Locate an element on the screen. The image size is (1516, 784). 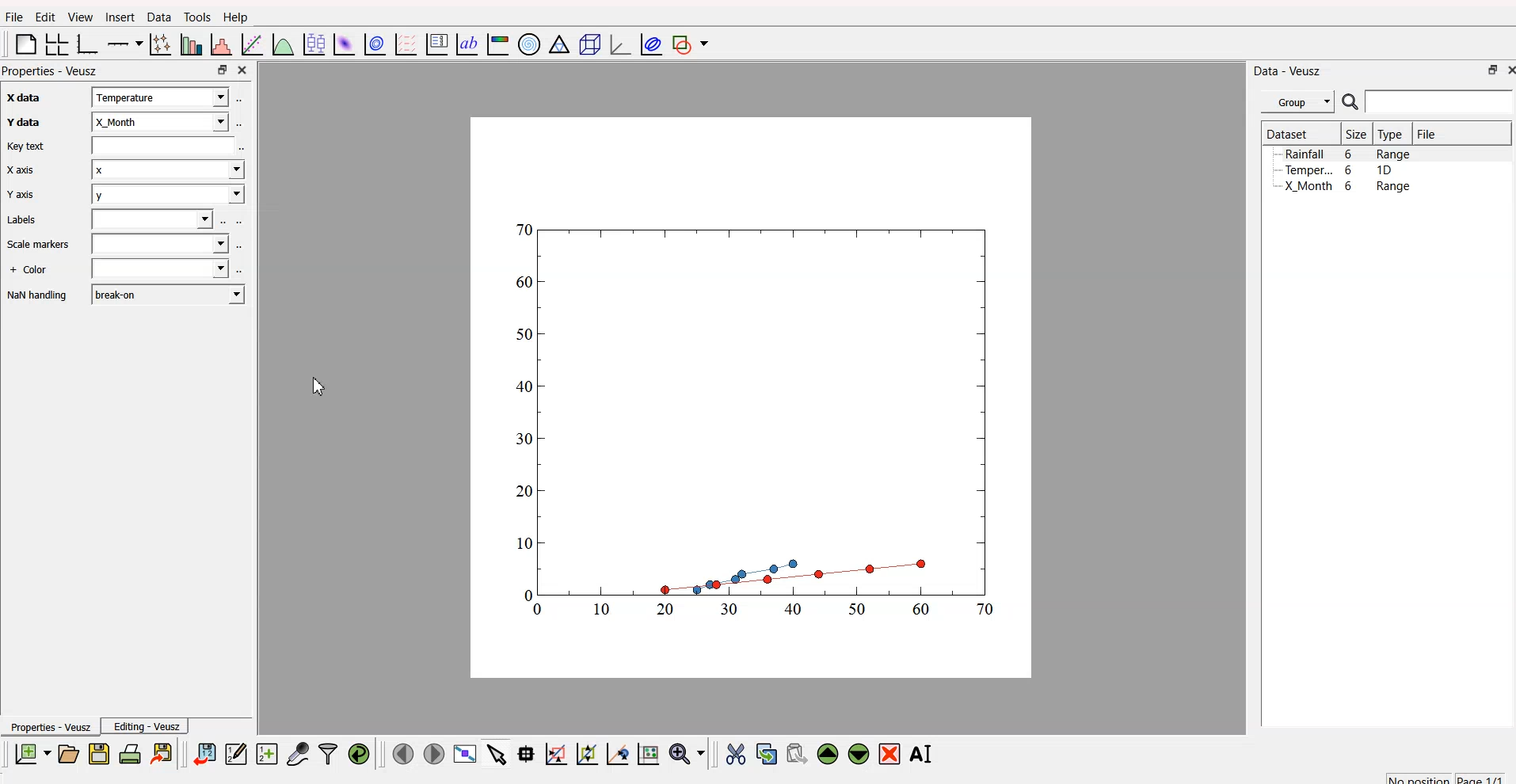
maximize is located at coordinates (1488, 72).